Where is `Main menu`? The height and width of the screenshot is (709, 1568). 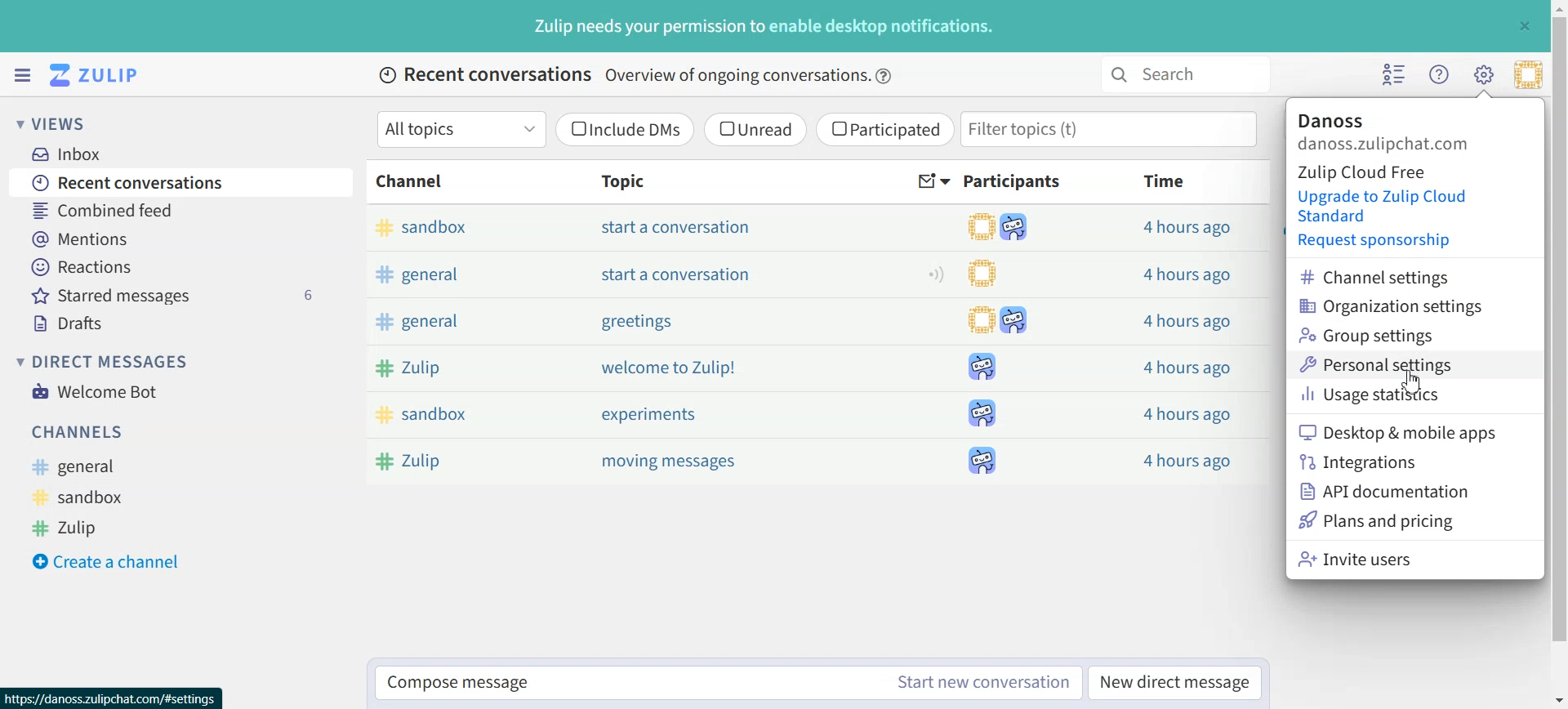
Main menu is located at coordinates (1483, 74).